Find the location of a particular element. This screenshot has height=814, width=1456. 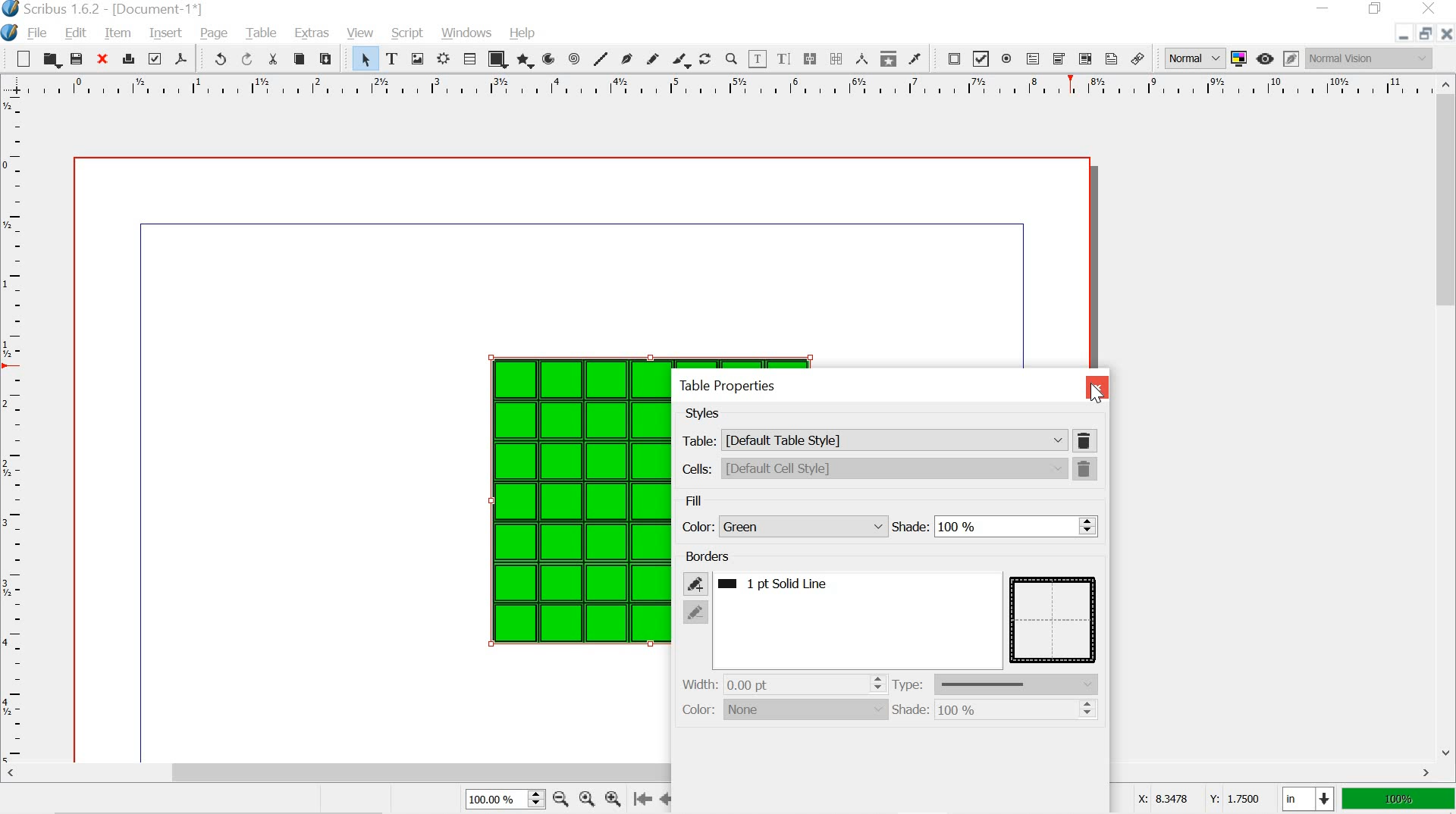

zoom in, zoom out is located at coordinates (535, 800).